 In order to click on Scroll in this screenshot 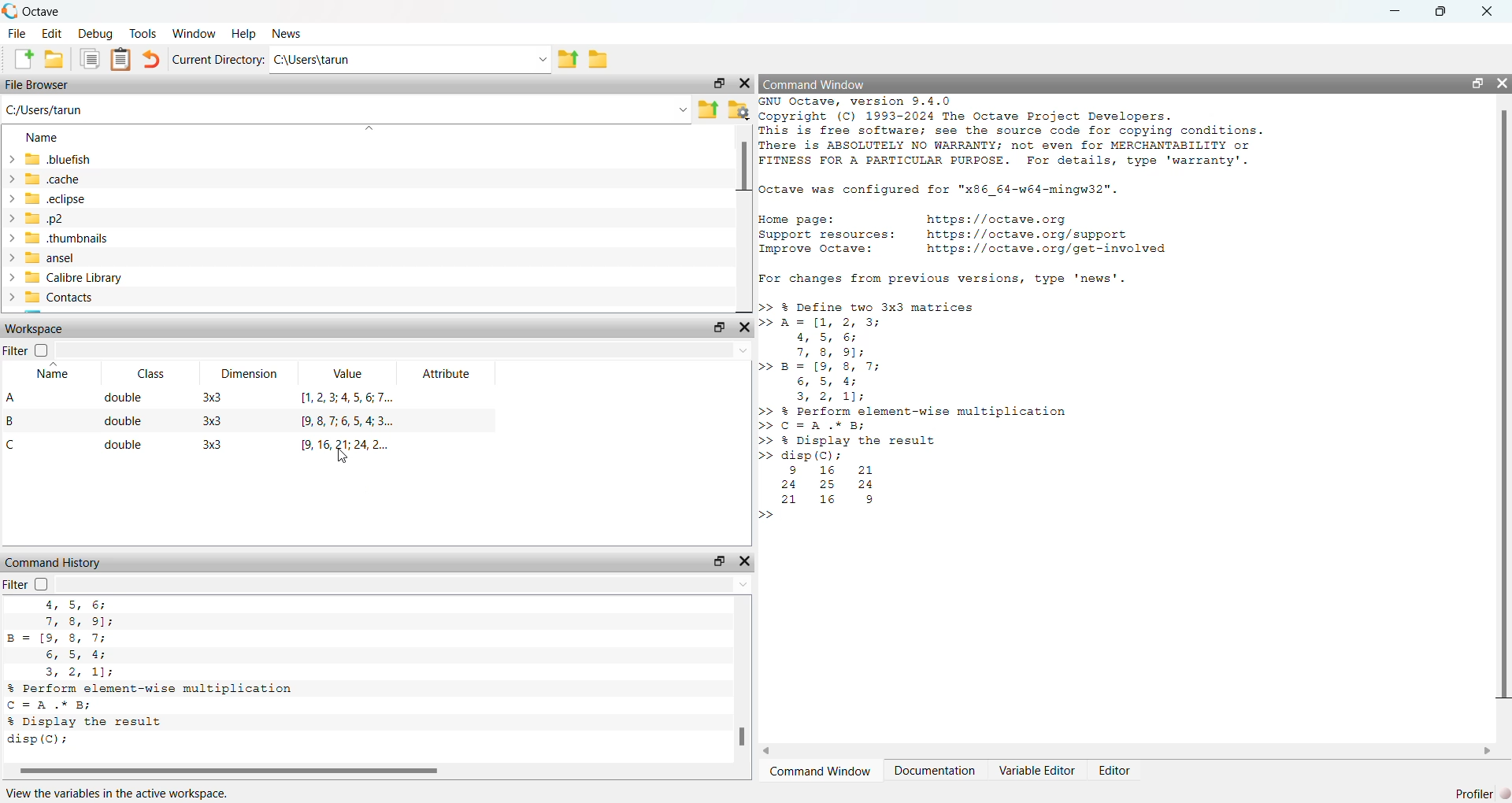, I will do `click(1126, 751)`.